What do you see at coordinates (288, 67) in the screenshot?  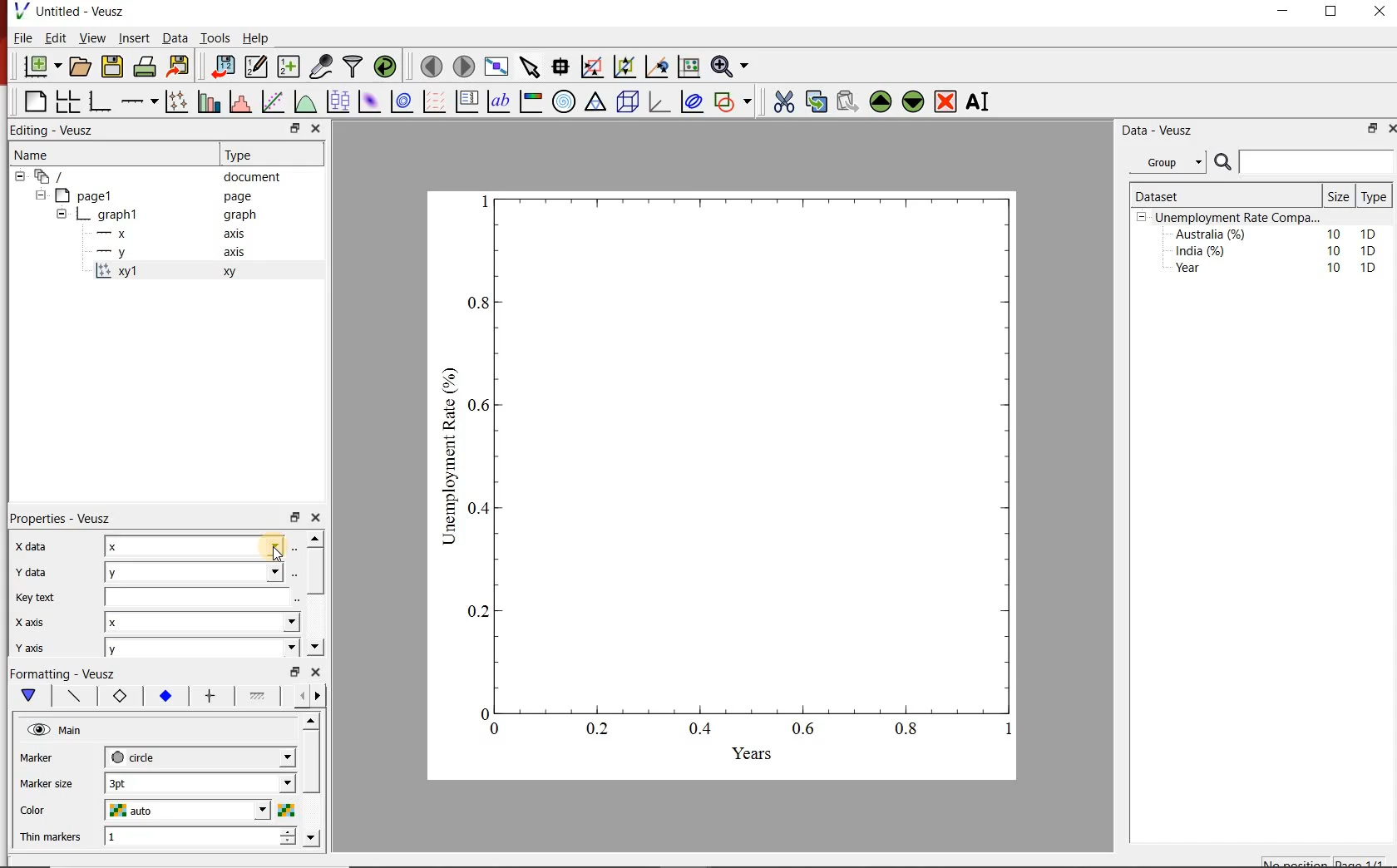 I see `create new datasets` at bounding box center [288, 67].